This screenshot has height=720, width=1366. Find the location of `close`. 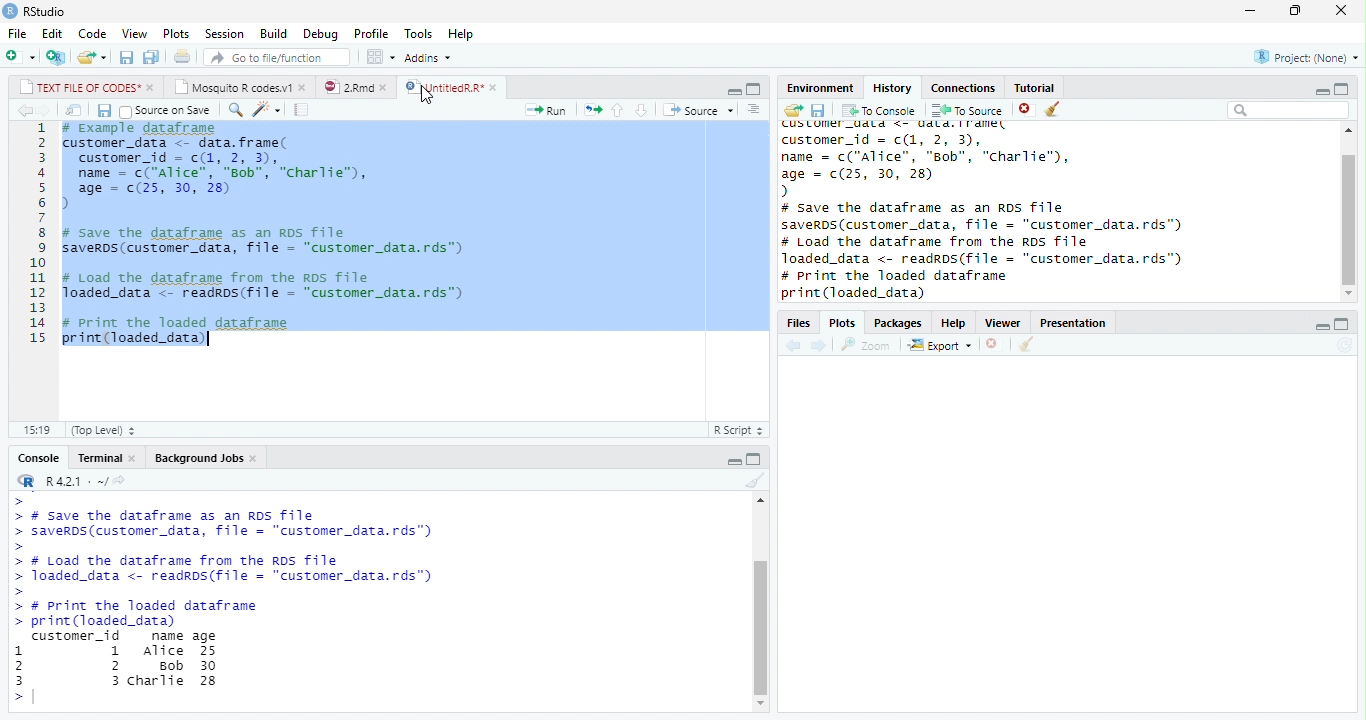

close is located at coordinates (1341, 9).